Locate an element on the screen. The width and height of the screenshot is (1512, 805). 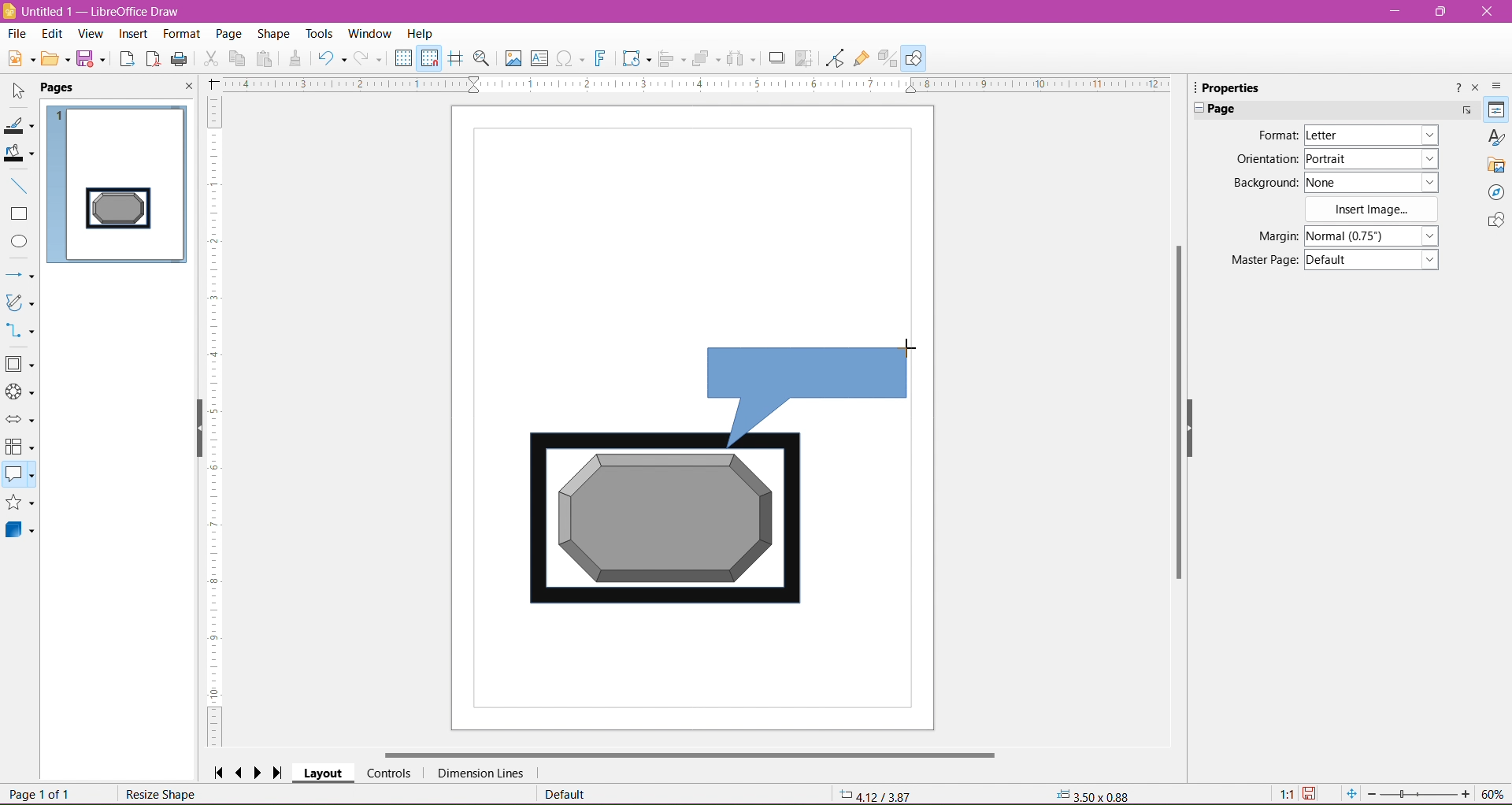
Line Color is located at coordinates (20, 127).